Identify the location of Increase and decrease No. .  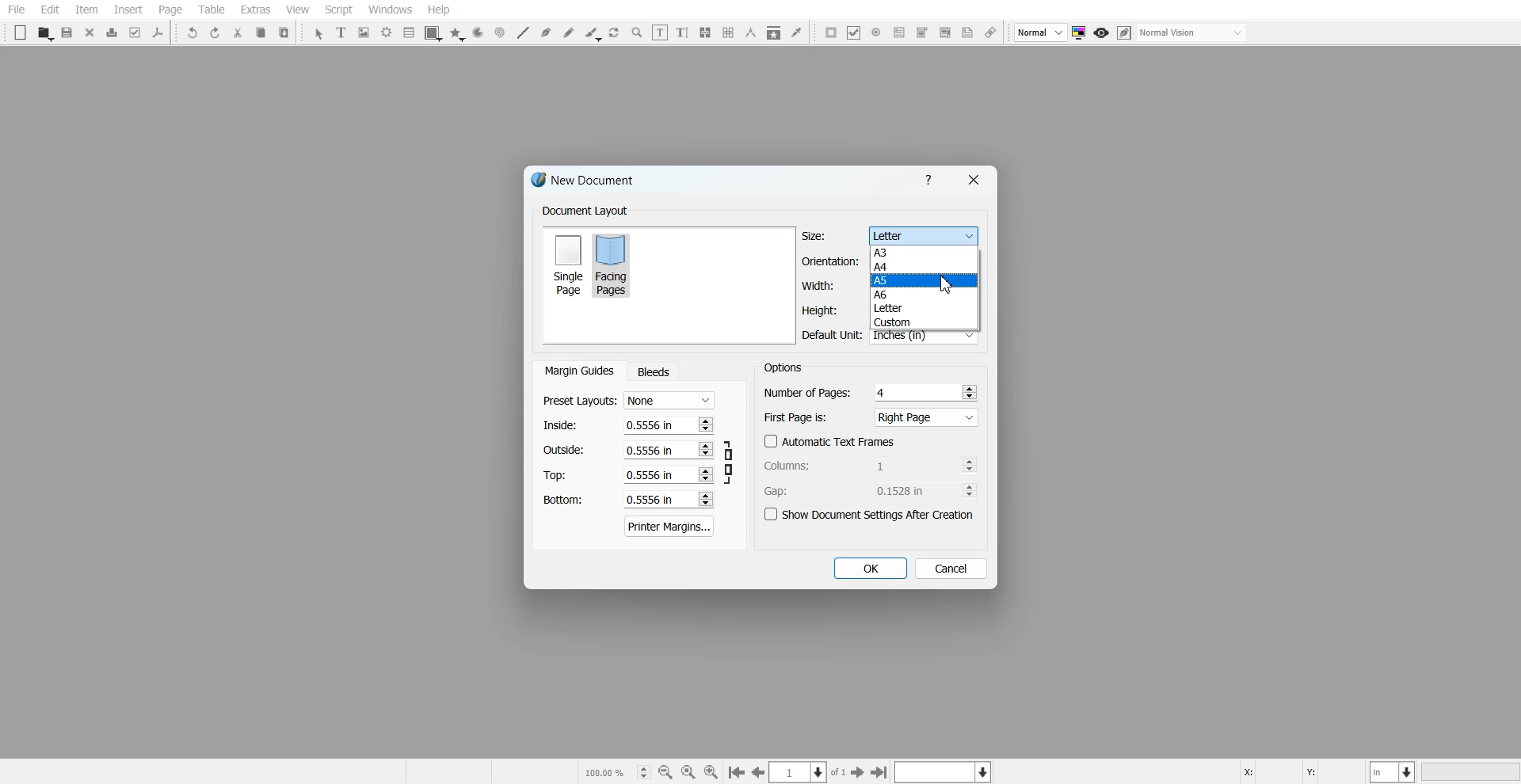
(970, 490).